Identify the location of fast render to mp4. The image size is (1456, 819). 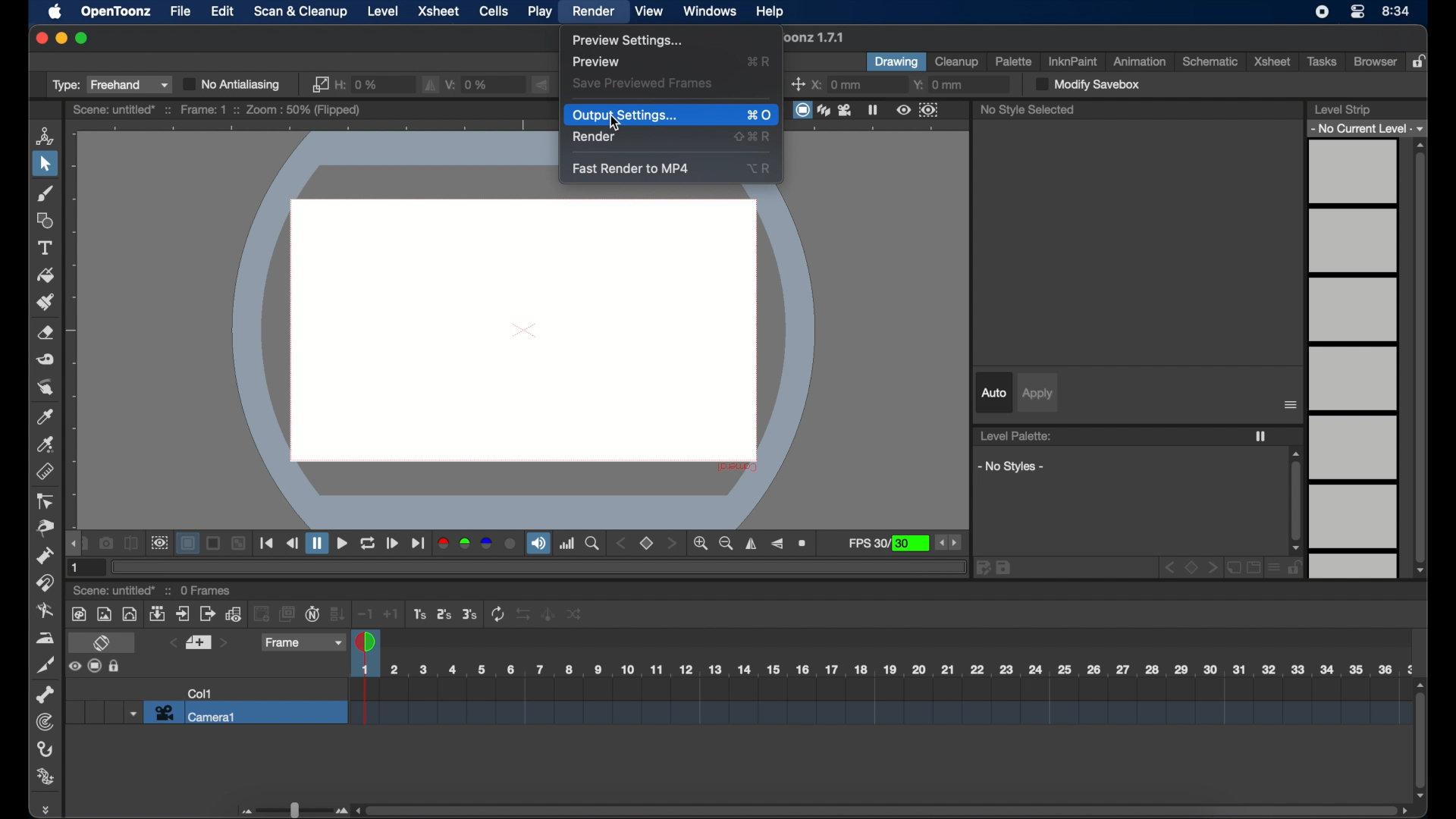
(633, 169).